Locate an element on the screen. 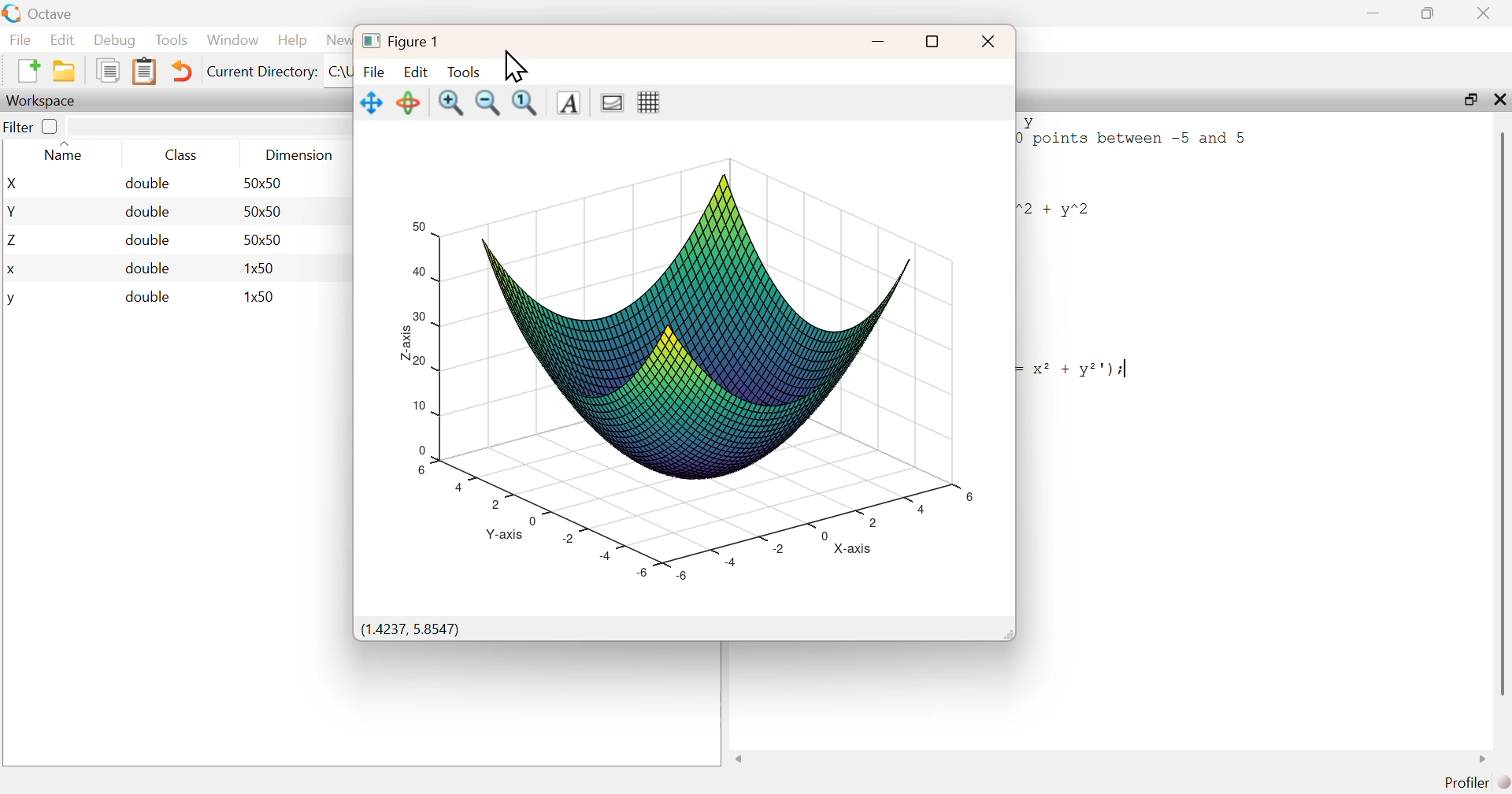  1x50 is located at coordinates (261, 295).